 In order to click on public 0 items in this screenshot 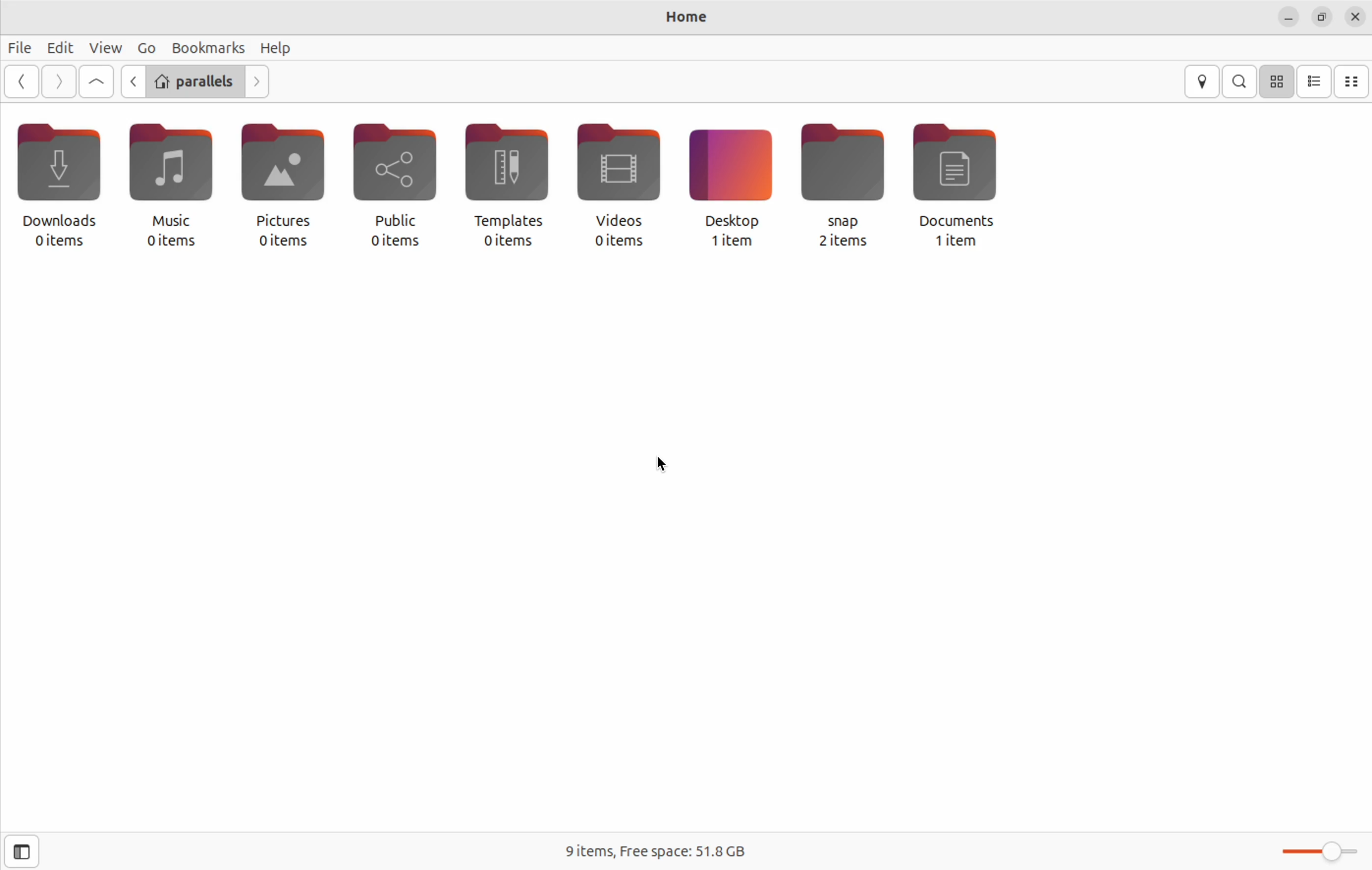, I will do `click(393, 186)`.